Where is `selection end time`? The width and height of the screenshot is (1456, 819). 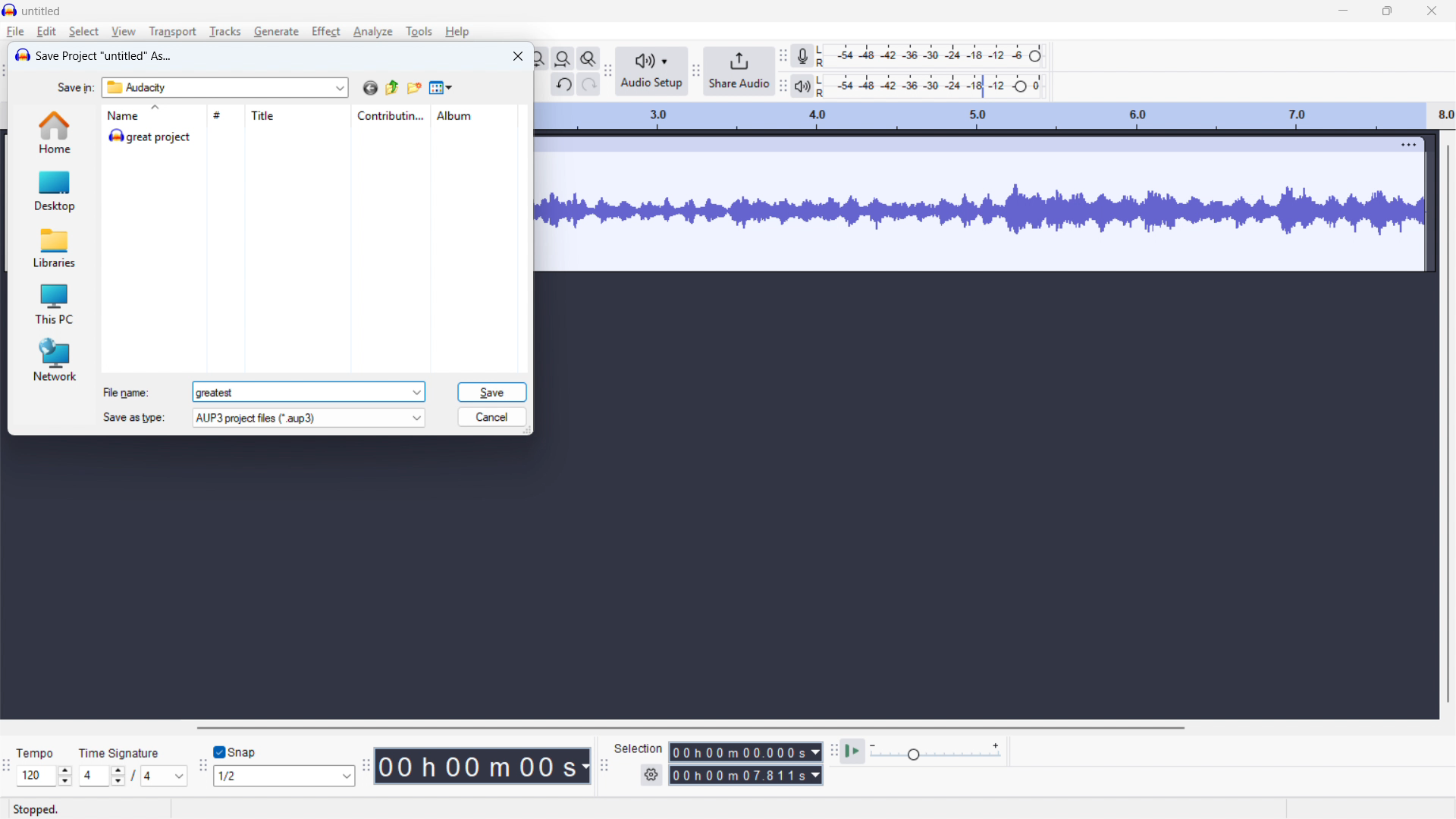
selection end time is located at coordinates (745, 776).